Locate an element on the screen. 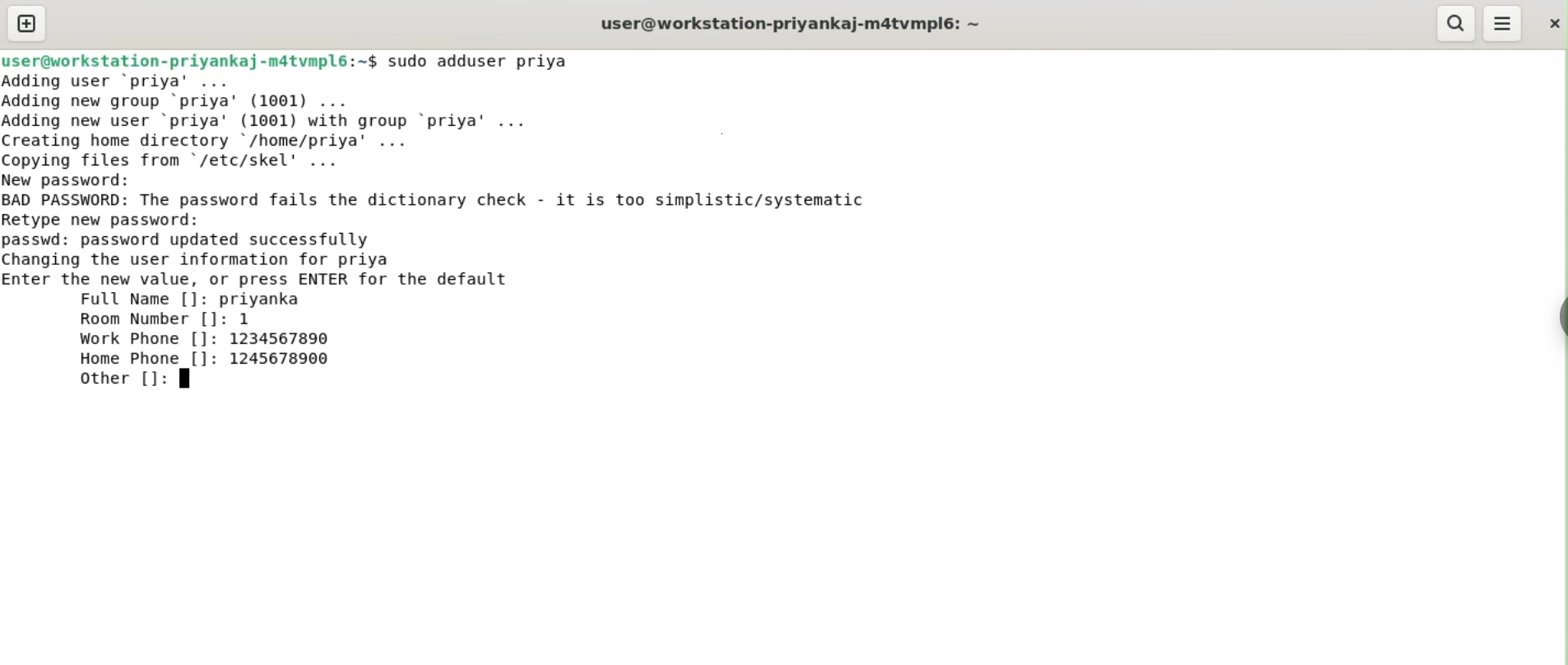  Work Phone []: 1234567890 is located at coordinates (208, 339).